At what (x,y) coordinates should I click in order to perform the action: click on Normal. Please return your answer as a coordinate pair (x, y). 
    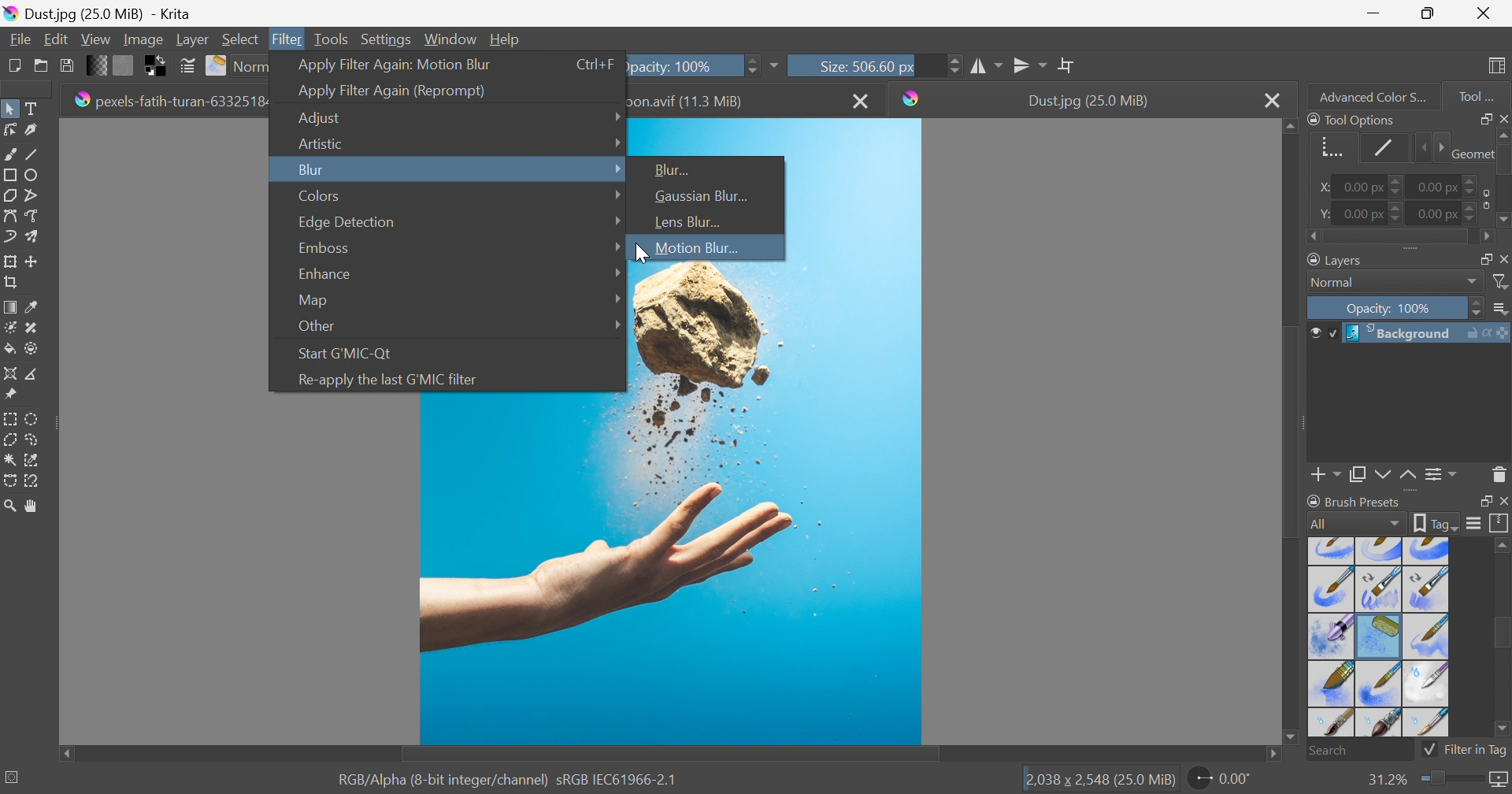
    Looking at the image, I should click on (1337, 283).